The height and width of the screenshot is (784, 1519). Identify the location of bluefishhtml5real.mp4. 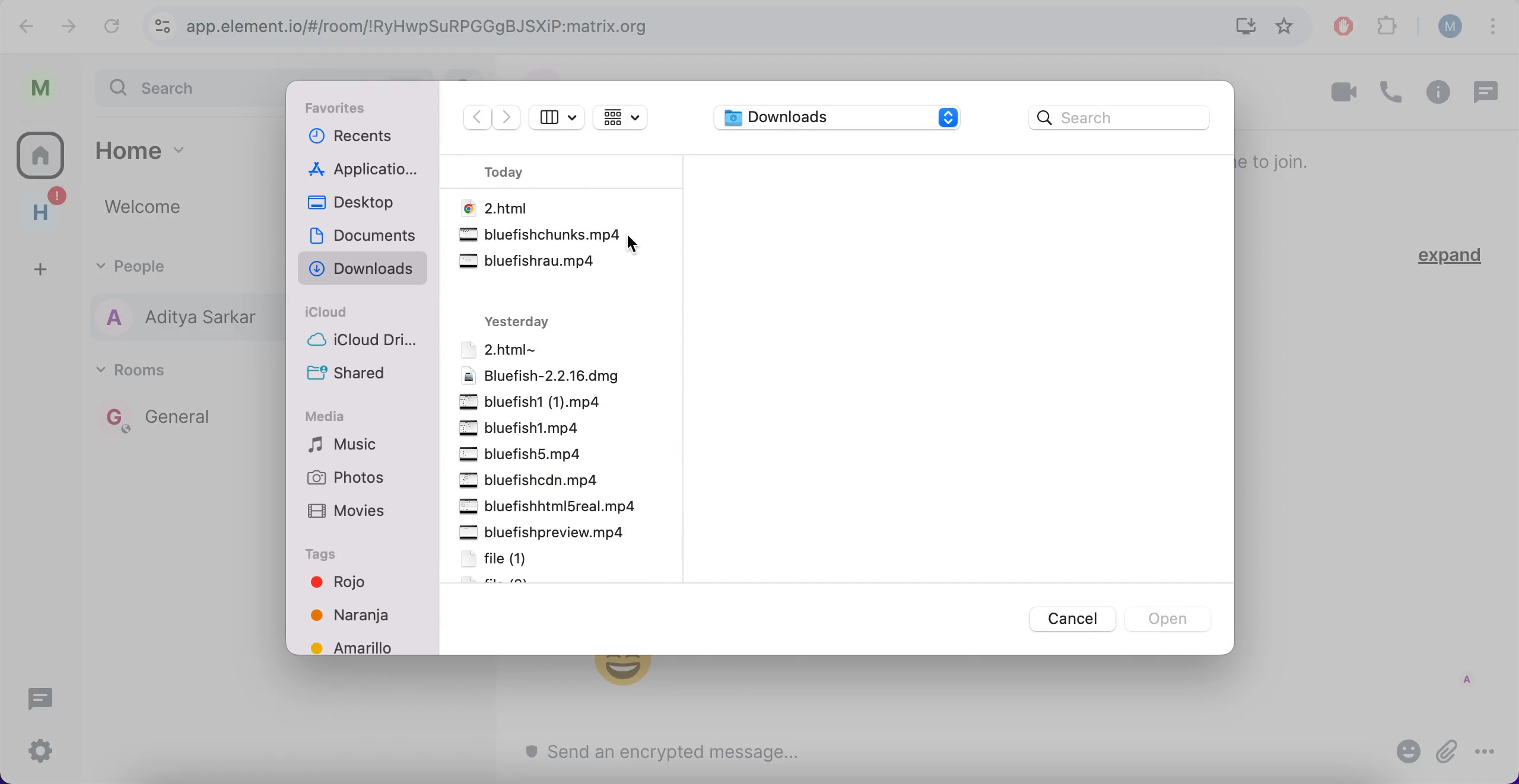
(552, 504).